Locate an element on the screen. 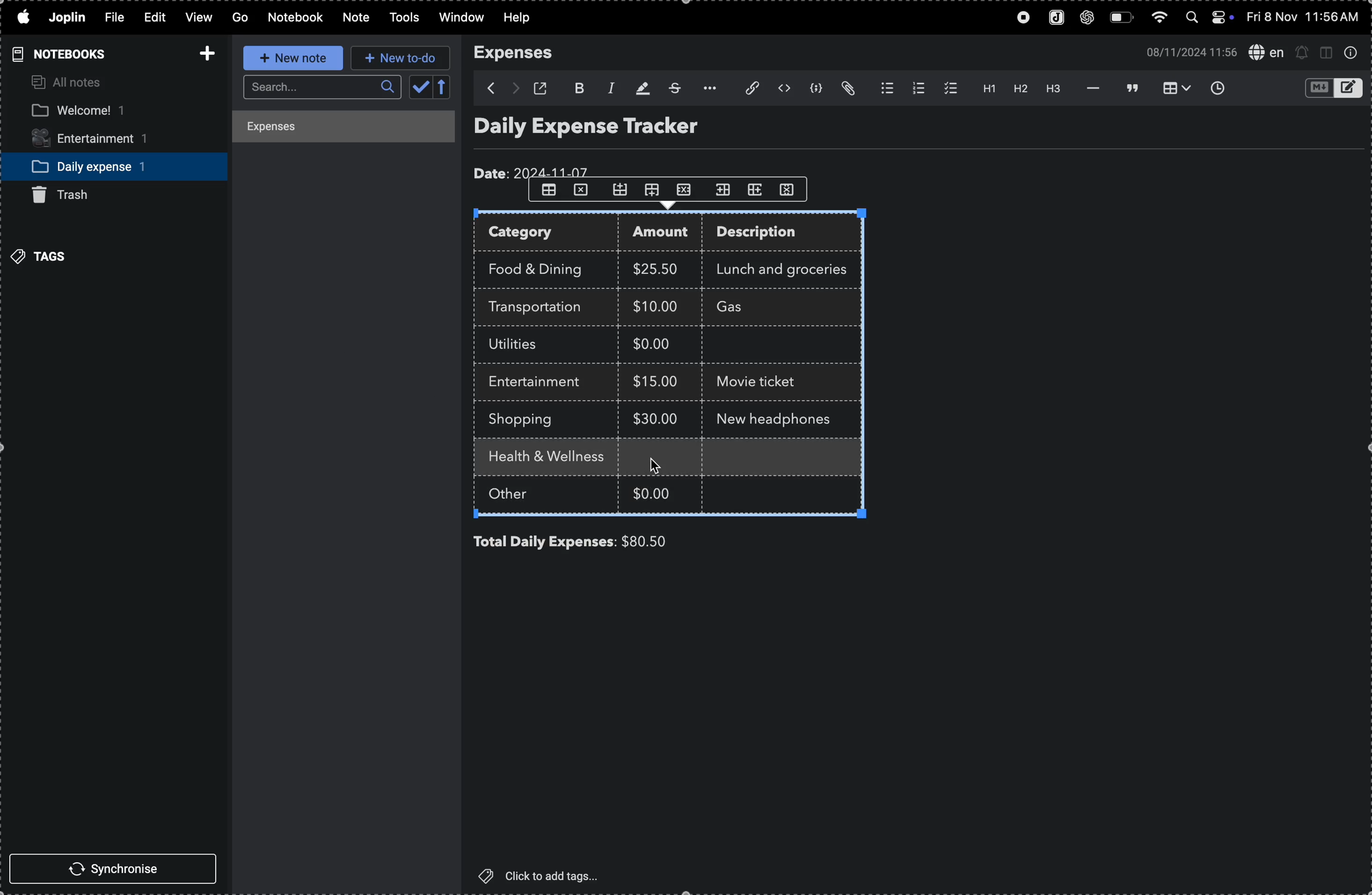  click to add tags is located at coordinates (546, 875).